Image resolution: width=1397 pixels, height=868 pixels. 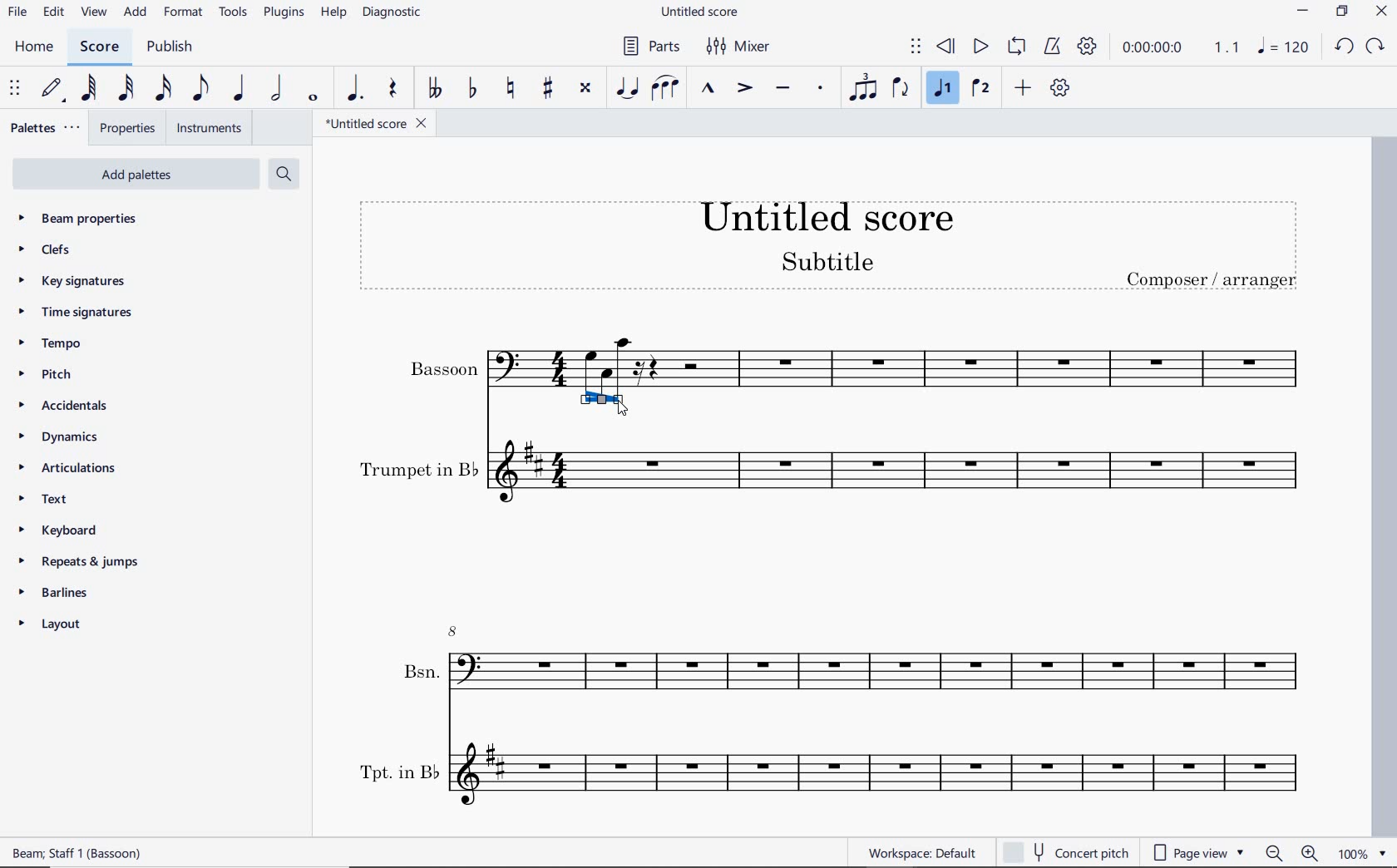 I want to click on view, so click(x=93, y=13).